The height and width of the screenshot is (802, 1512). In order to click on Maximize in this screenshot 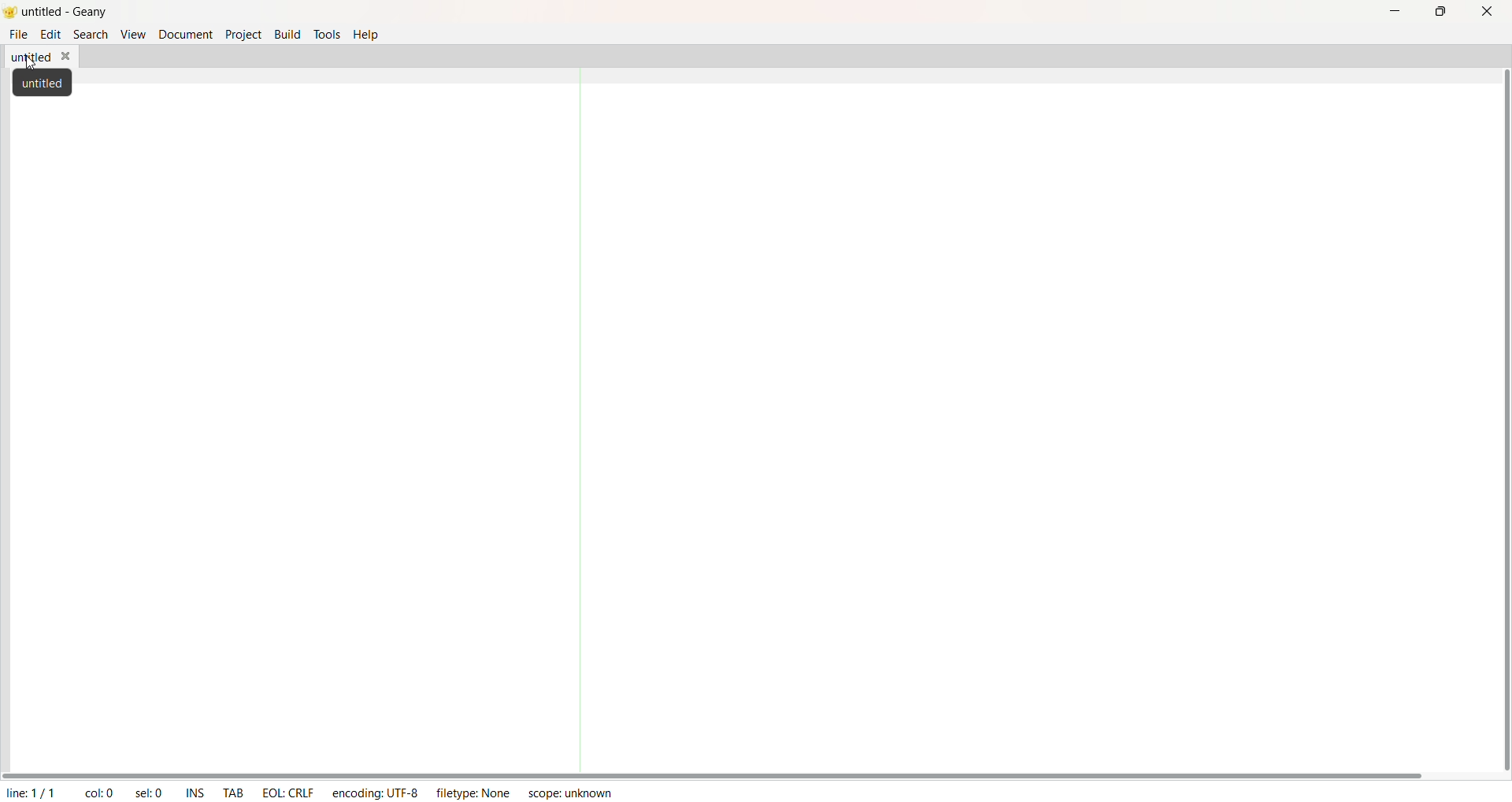, I will do `click(1442, 13)`.